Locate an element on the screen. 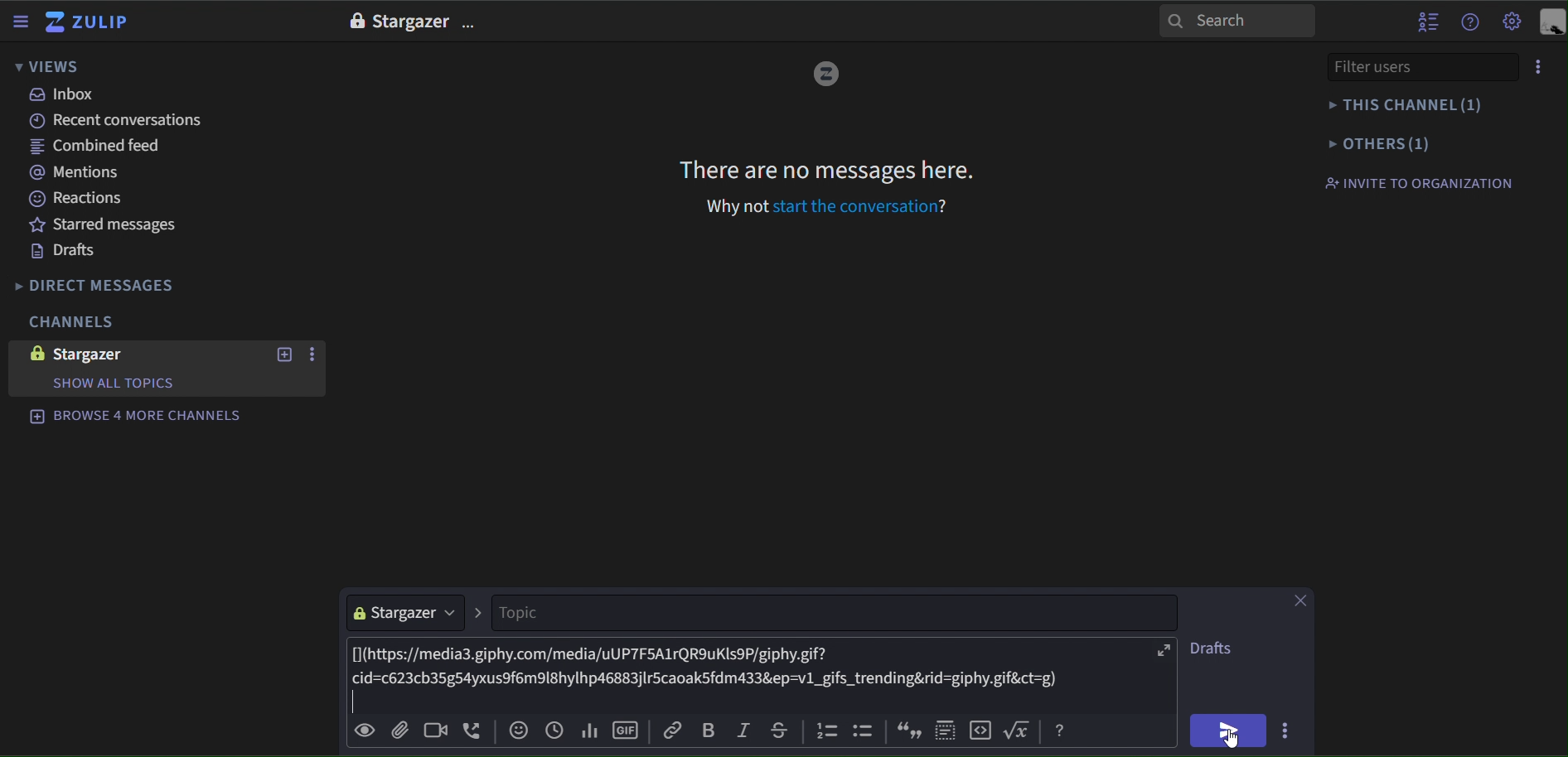 The height and width of the screenshot is (757, 1568). strike through is located at coordinates (777, 728).